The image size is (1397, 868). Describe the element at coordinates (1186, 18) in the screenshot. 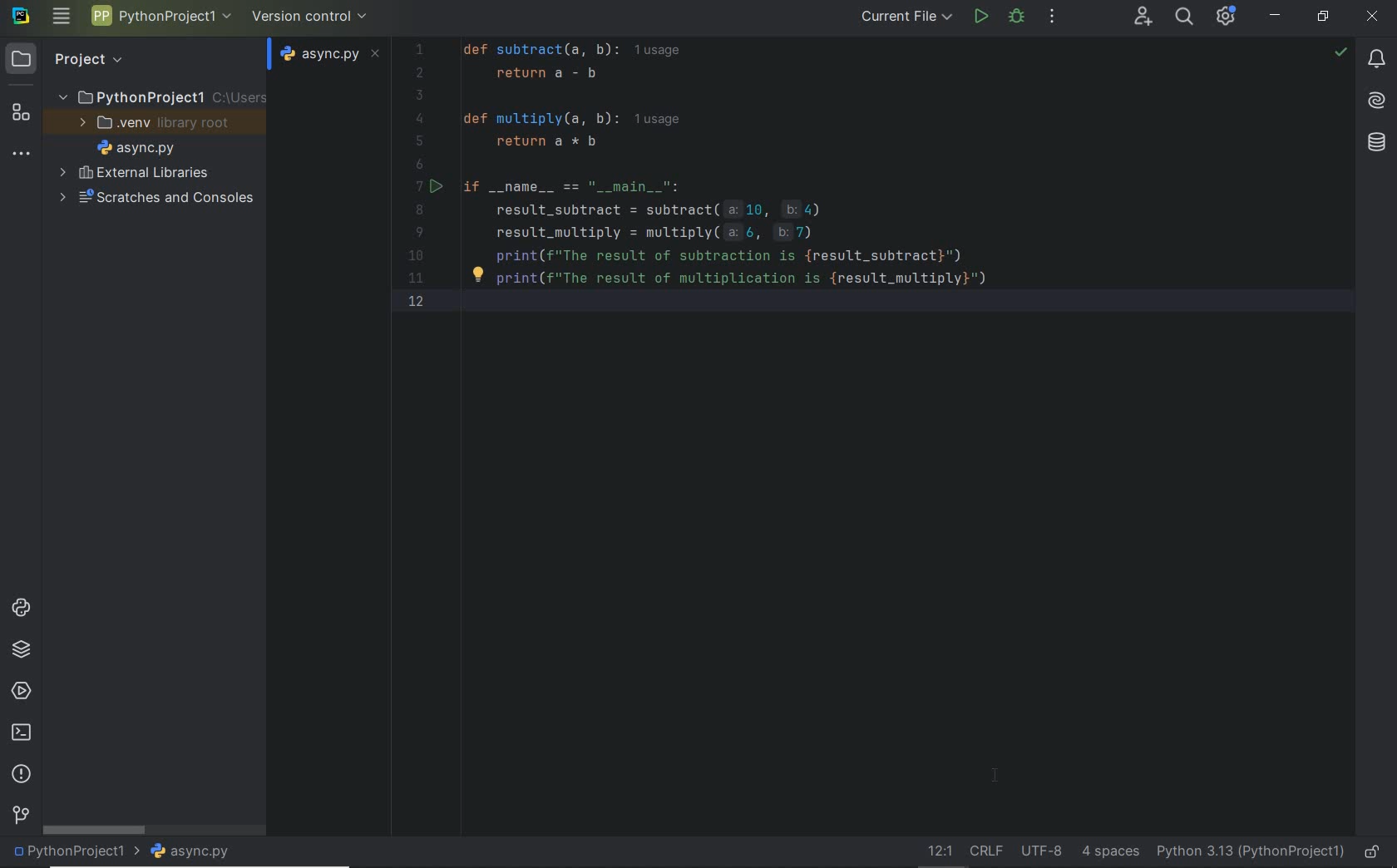

I see `search everywhere` at that location.